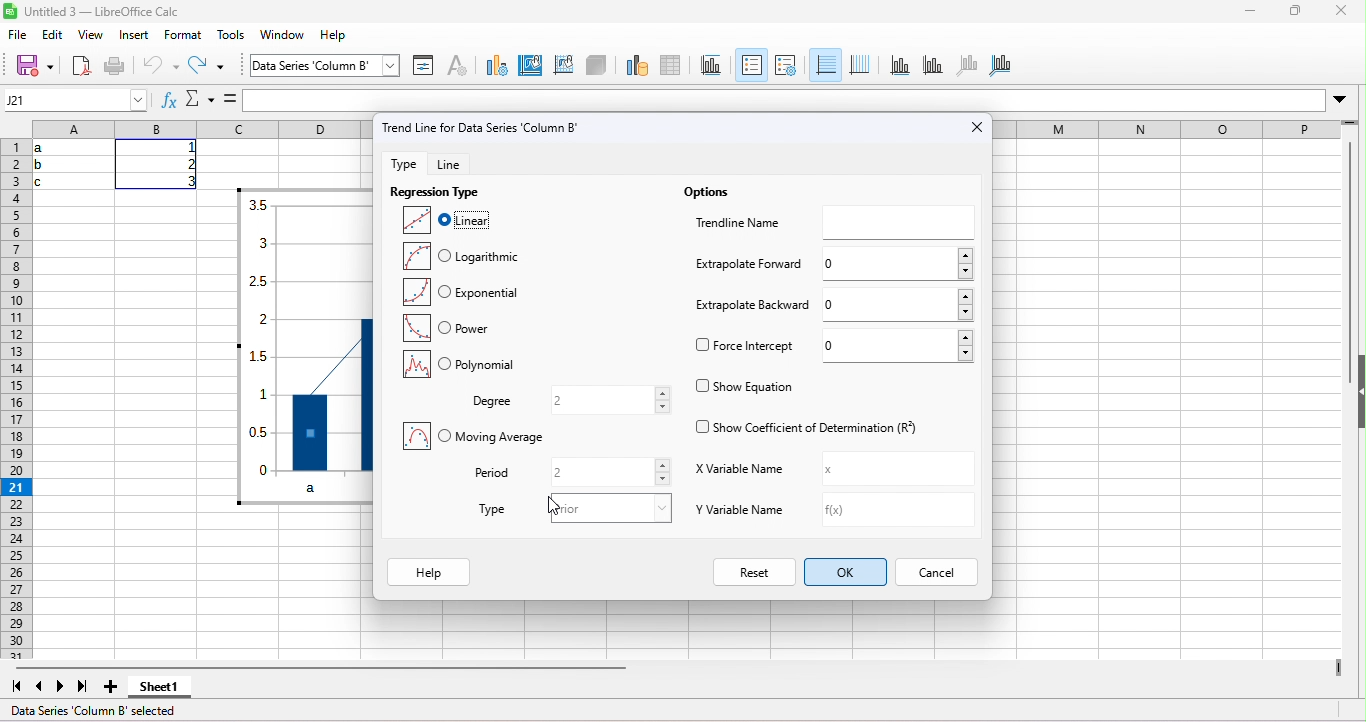  What do you see at coordinates (847, 573) in the screenshot?
I see `ok` at bounding box center [847, 573].